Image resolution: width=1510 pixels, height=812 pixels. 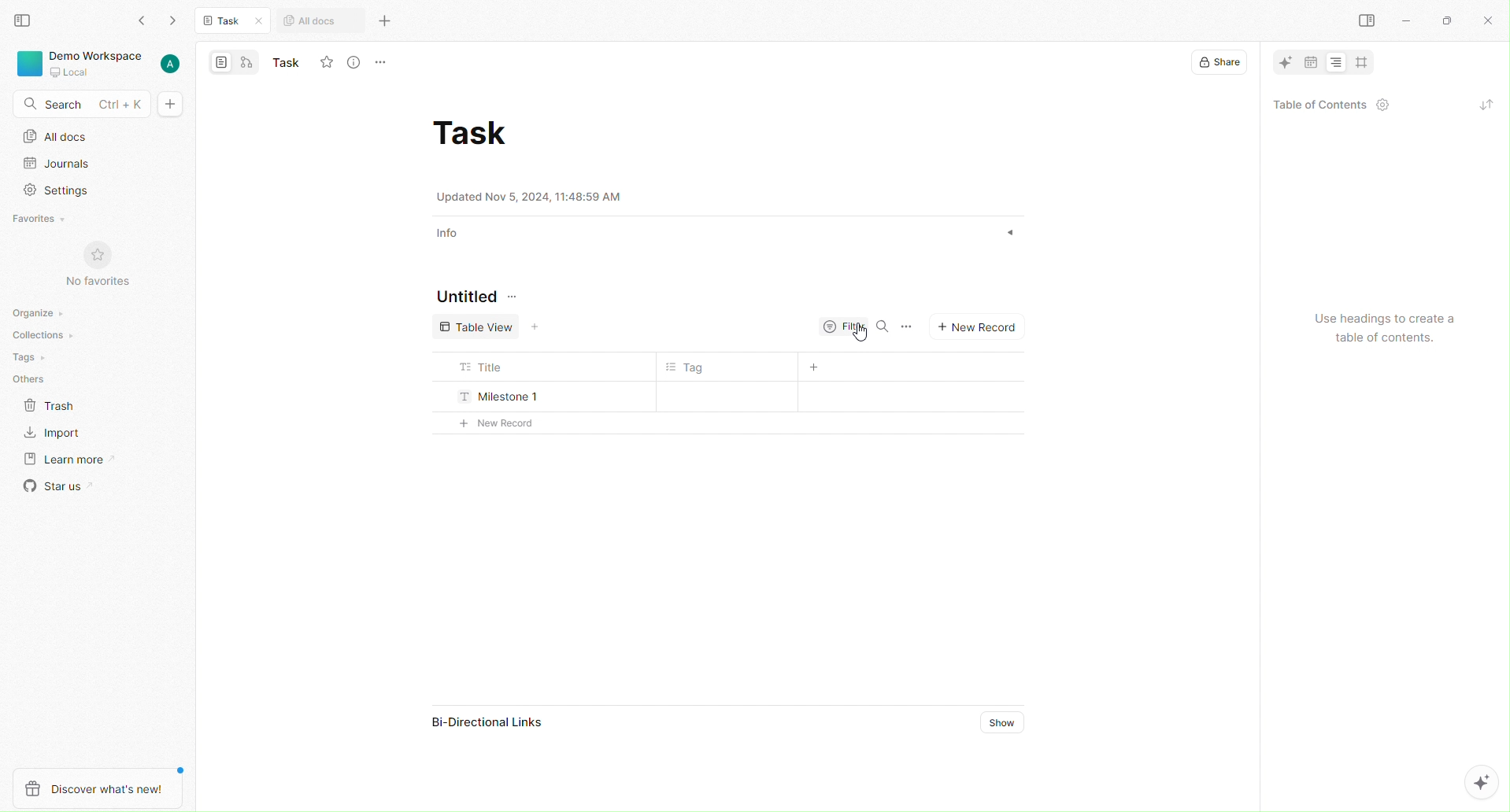 What do you see at coordinates (1447, 21) in the screenshot?
I see `maximize` at bounding box center [1447, 21].